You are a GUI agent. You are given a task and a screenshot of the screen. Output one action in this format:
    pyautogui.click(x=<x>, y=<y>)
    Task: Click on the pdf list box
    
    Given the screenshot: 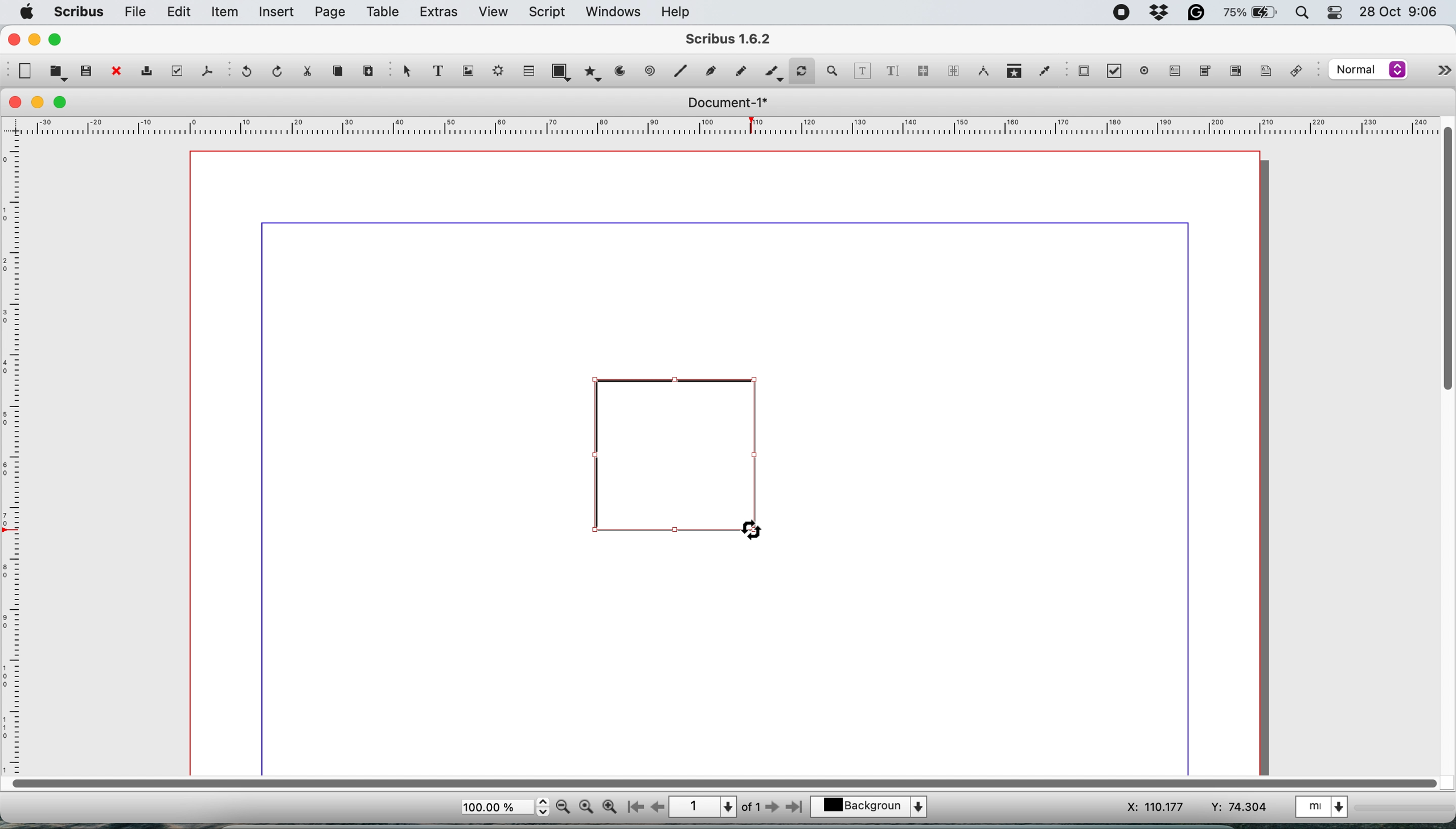 What is the action you would take?
    pyautogui.click(x=1234, y=72)
    